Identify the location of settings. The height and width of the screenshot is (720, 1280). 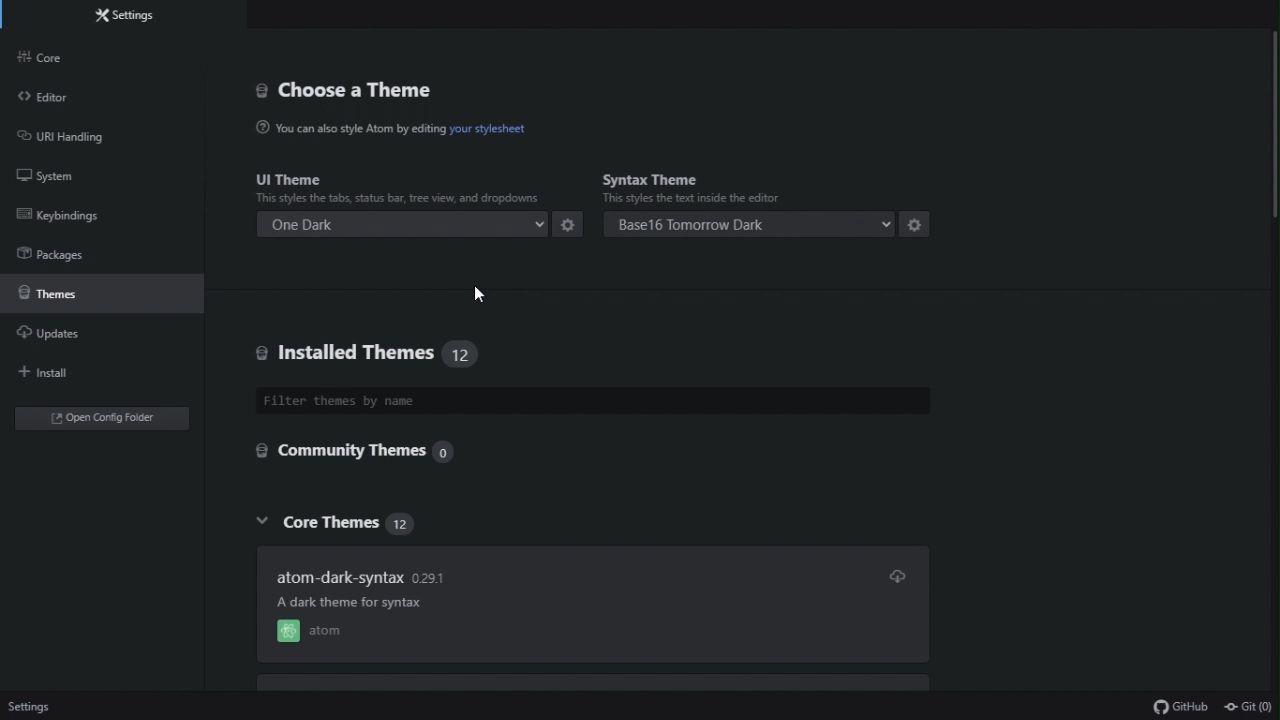
(915, 225).